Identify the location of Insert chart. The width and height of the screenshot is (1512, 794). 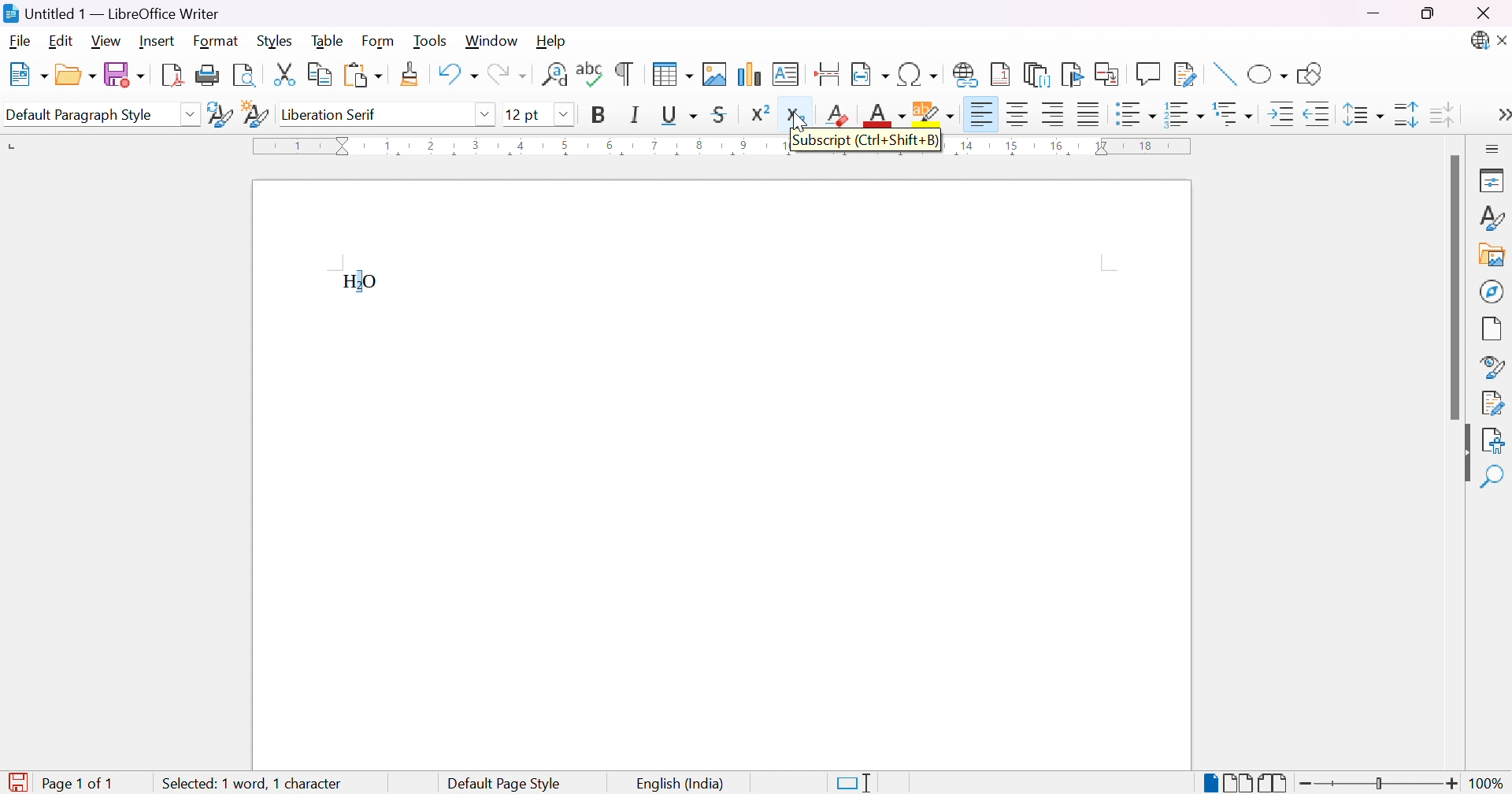
(751, 76).